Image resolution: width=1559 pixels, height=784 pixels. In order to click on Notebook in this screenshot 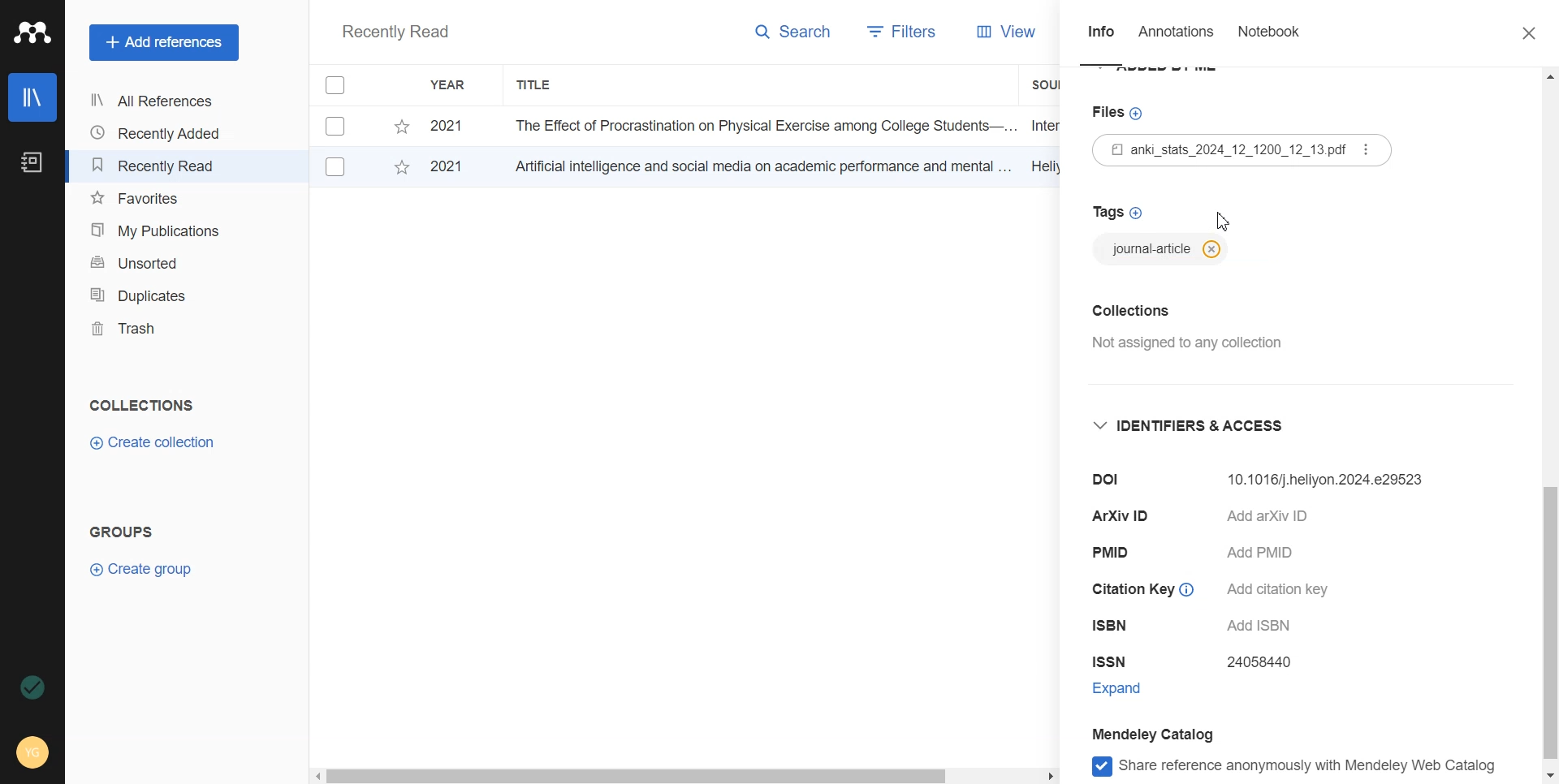, I will do `click(1268, 35)`.